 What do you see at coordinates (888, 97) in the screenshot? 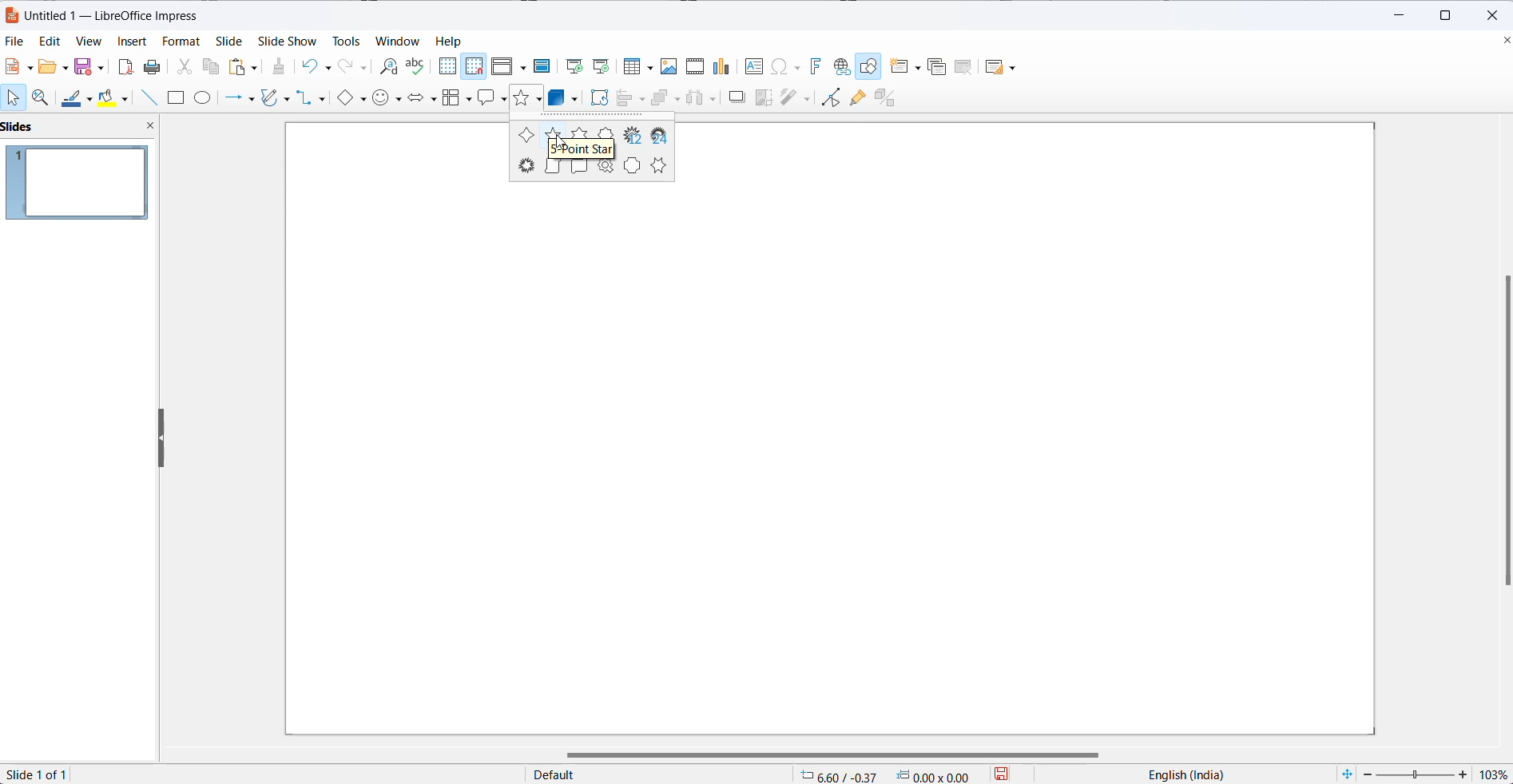
I see `toggle extrusion` at bounding box center [888, 97].